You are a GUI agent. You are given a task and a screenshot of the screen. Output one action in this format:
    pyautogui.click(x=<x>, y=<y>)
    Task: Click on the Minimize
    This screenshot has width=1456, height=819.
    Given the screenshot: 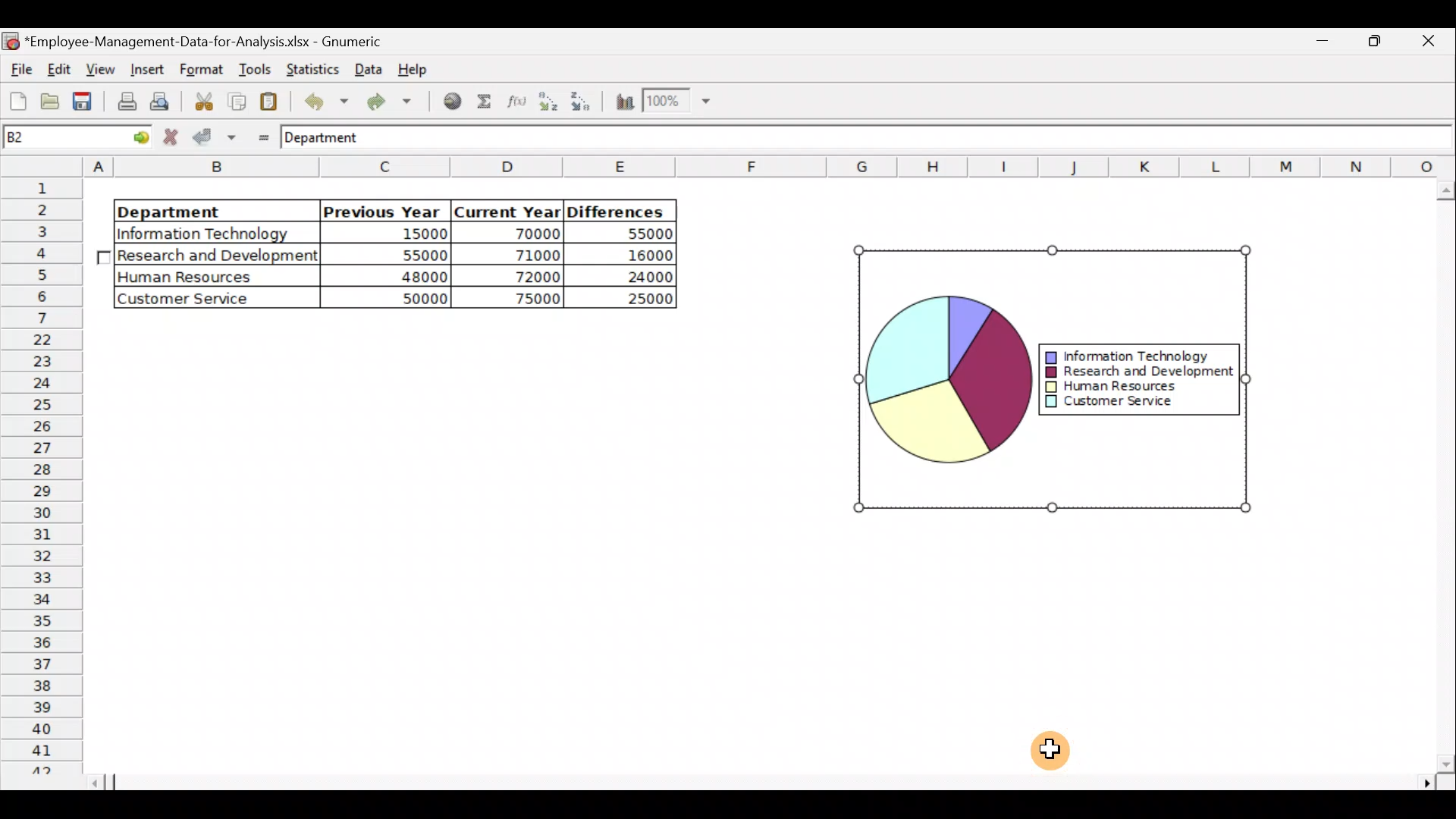 What is the action you would take?
    pyautogui.click(x=1376, y=46)
    